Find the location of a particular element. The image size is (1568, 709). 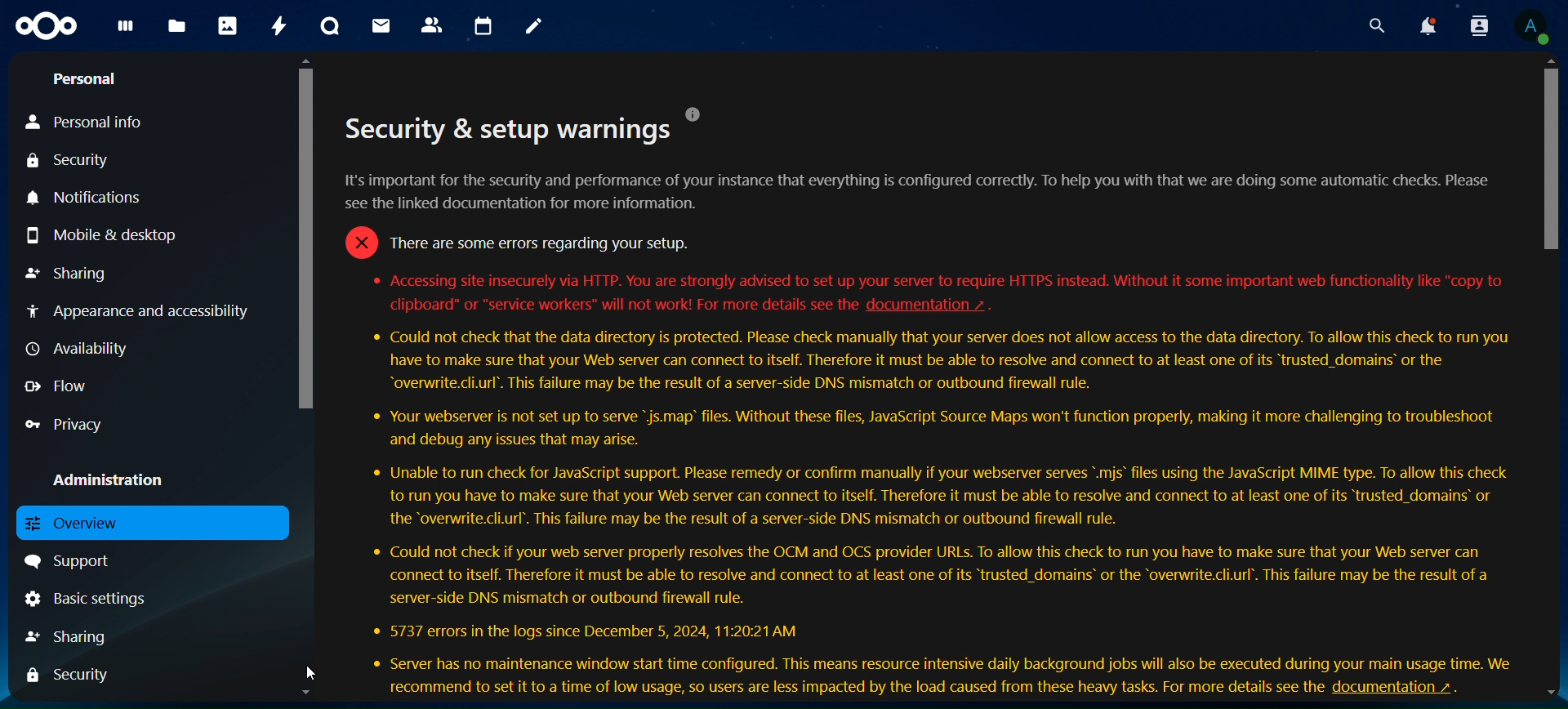

overview is located at coordinates (150, 523).